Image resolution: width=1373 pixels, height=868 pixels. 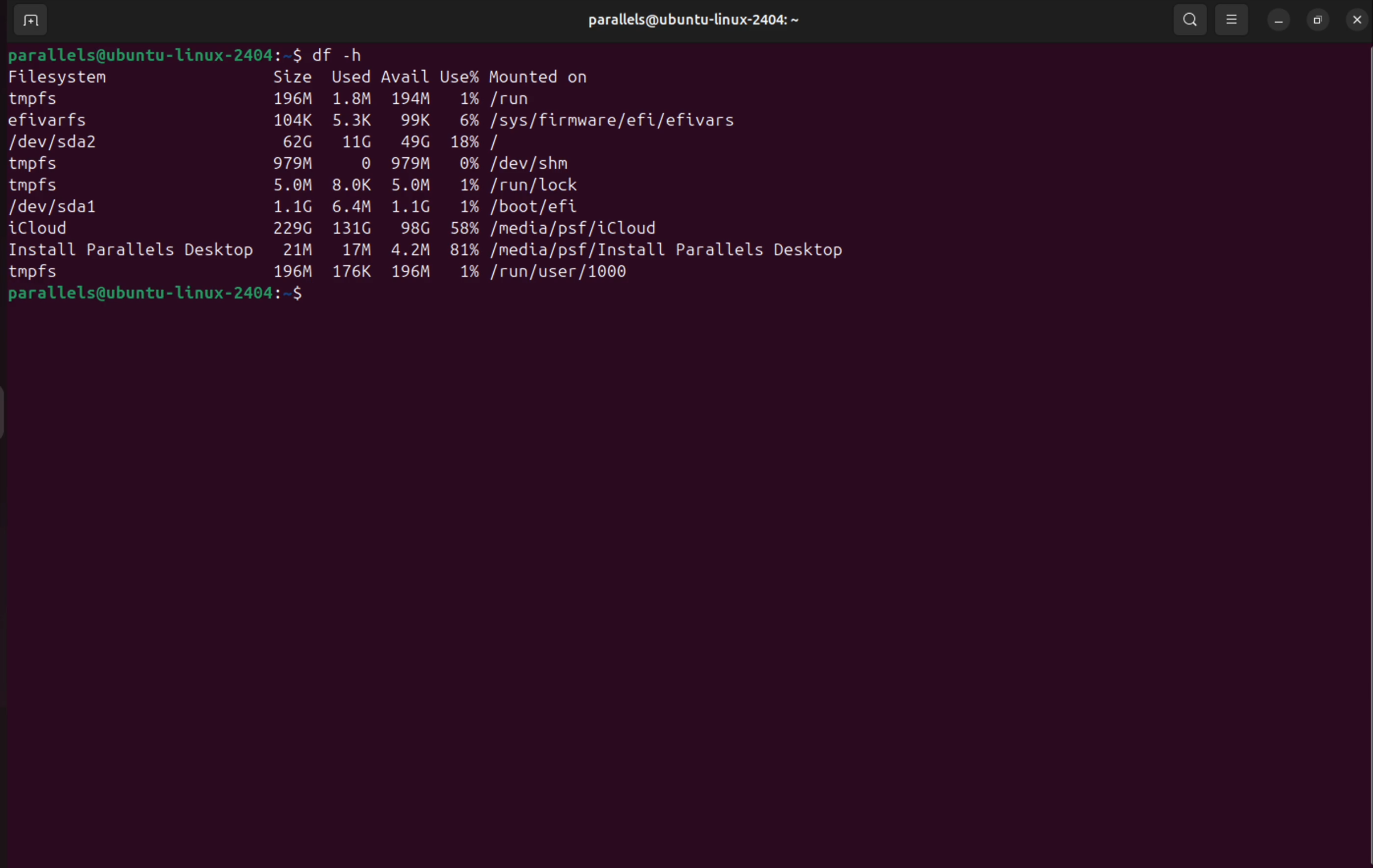 What do you see at coordinates (64, 142) in the screenshot?
I see `dev/sda 2` at bounding box center [64, 142].